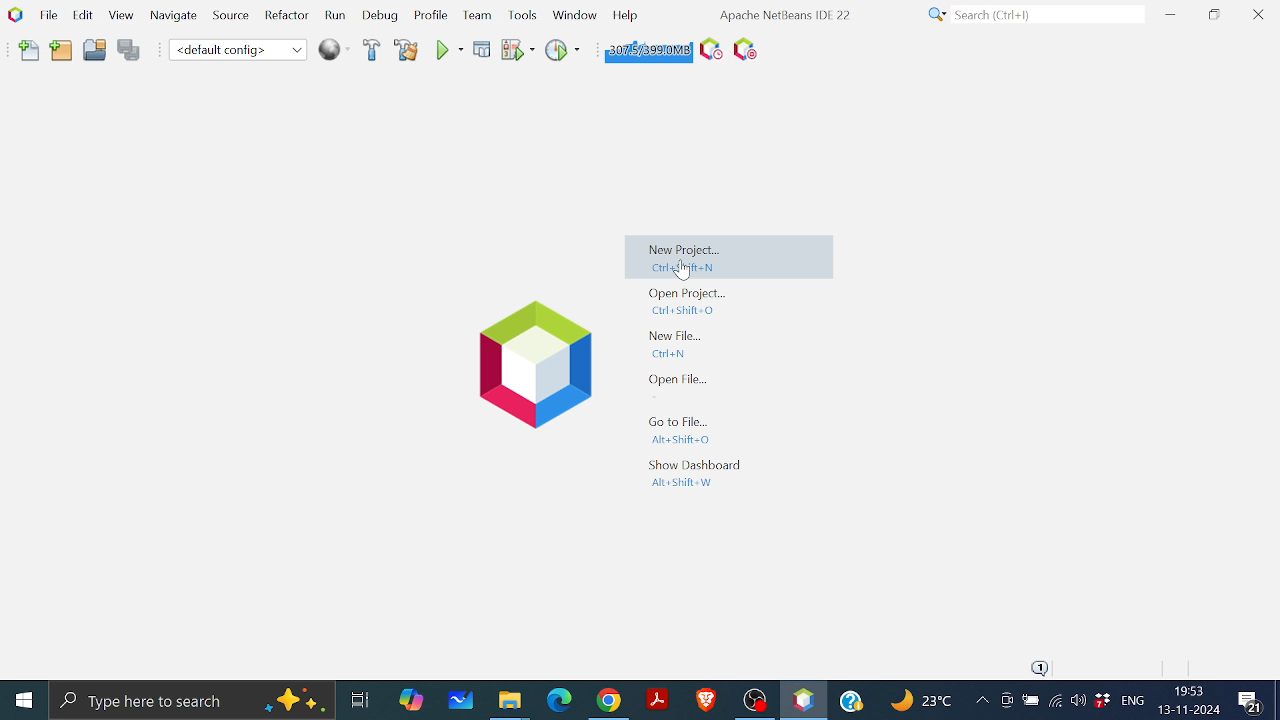 The image size is (1280, 720). Describe the element at coordinates (678, 430) in the screenshot. I see `Go to file` at that location.